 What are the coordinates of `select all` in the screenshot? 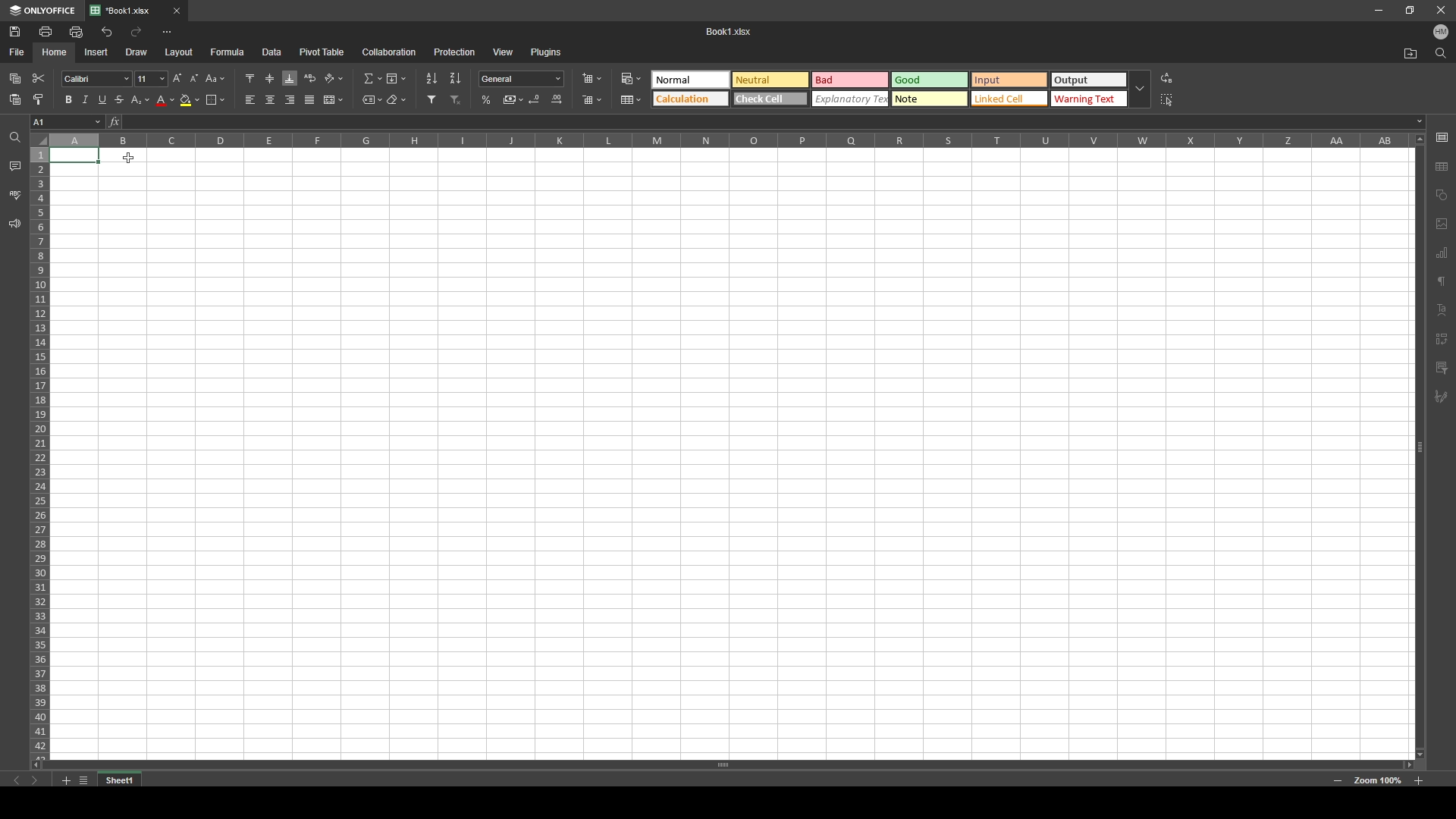 It's located at (1168, 100).